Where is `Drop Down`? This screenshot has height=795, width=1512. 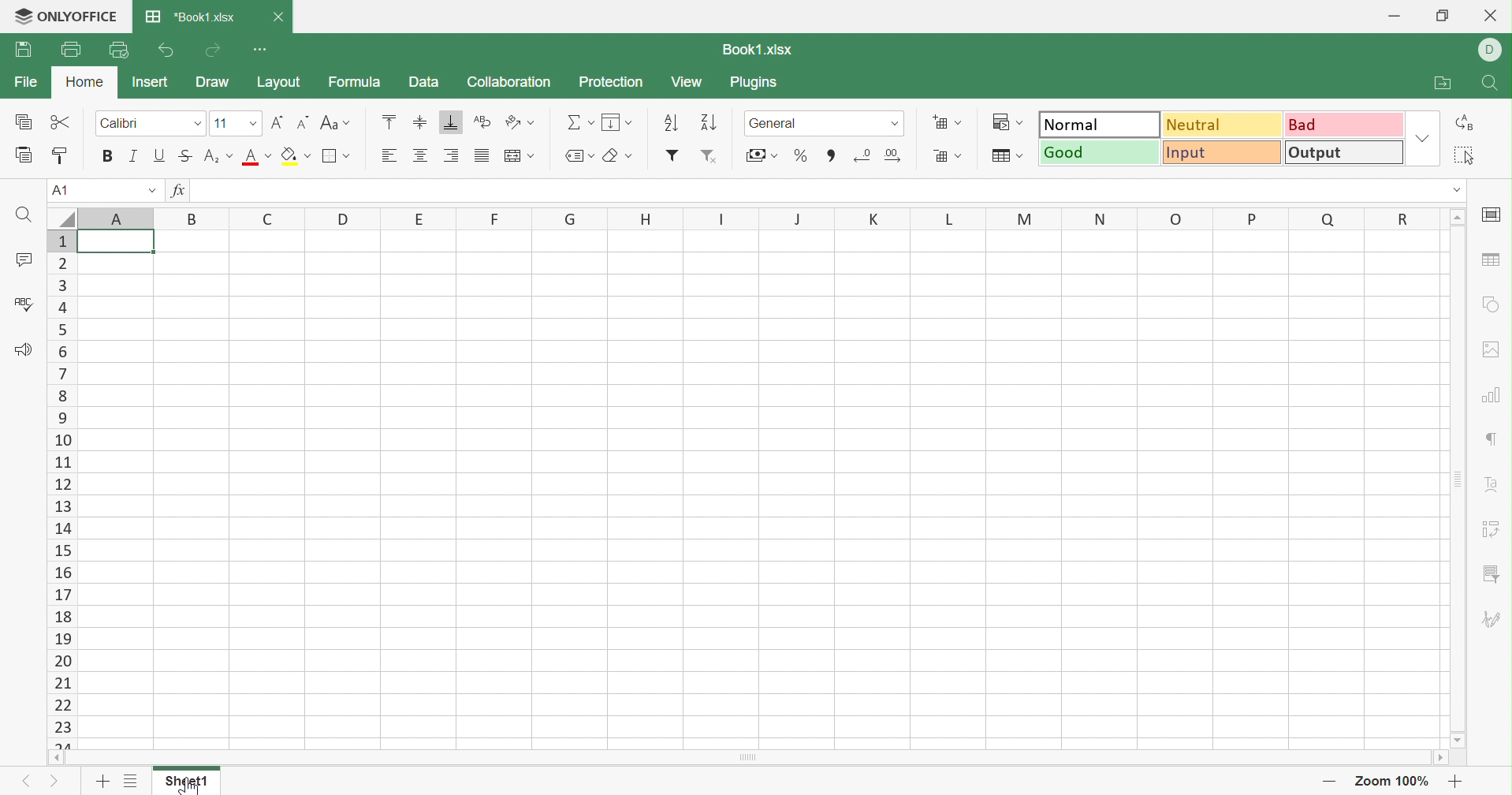
Drop Down is located at coordinates (1454, 192).